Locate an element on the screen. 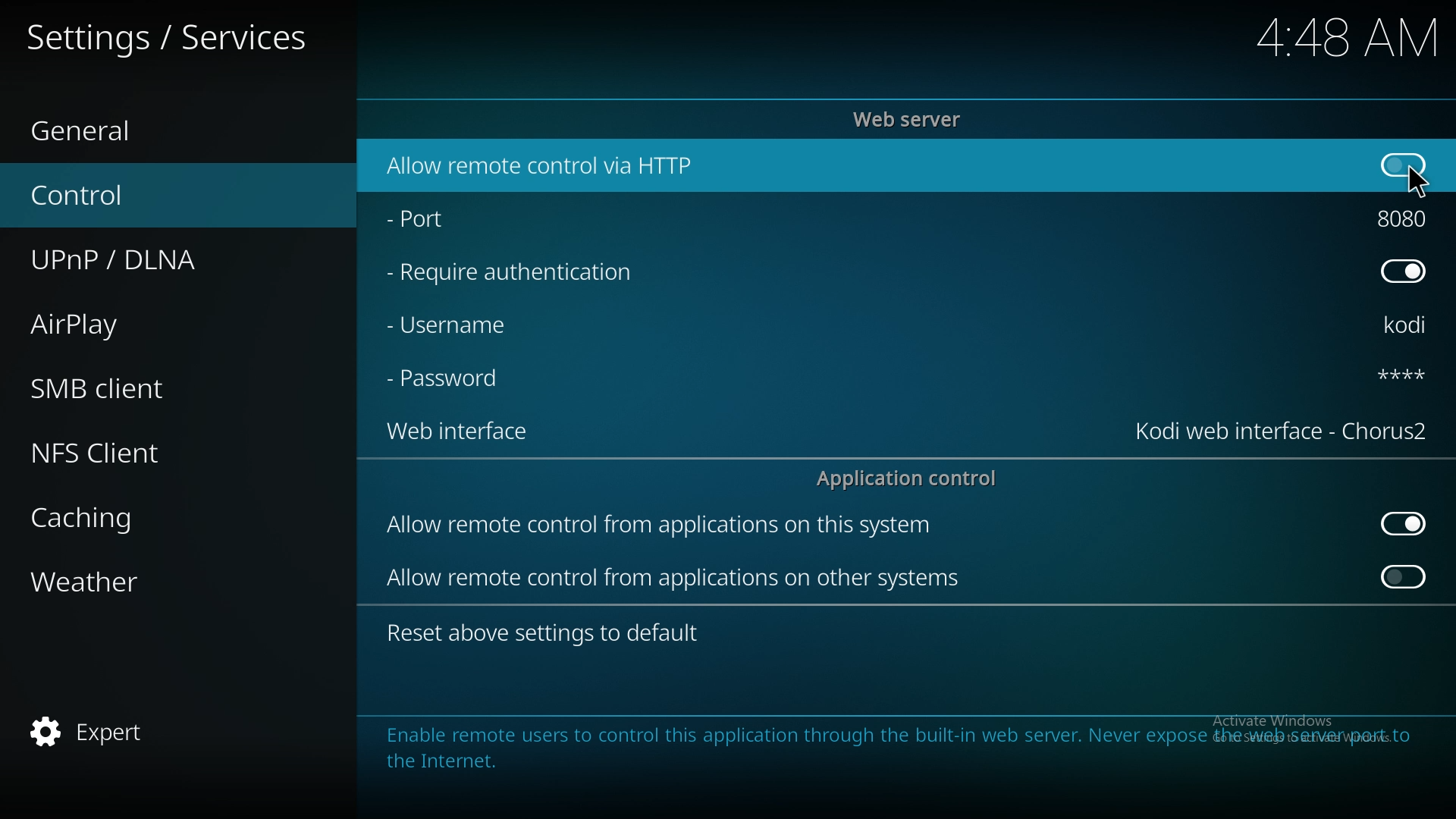 This screenshot has height=819, width=1456. off is located at coordinates (1402, 522).